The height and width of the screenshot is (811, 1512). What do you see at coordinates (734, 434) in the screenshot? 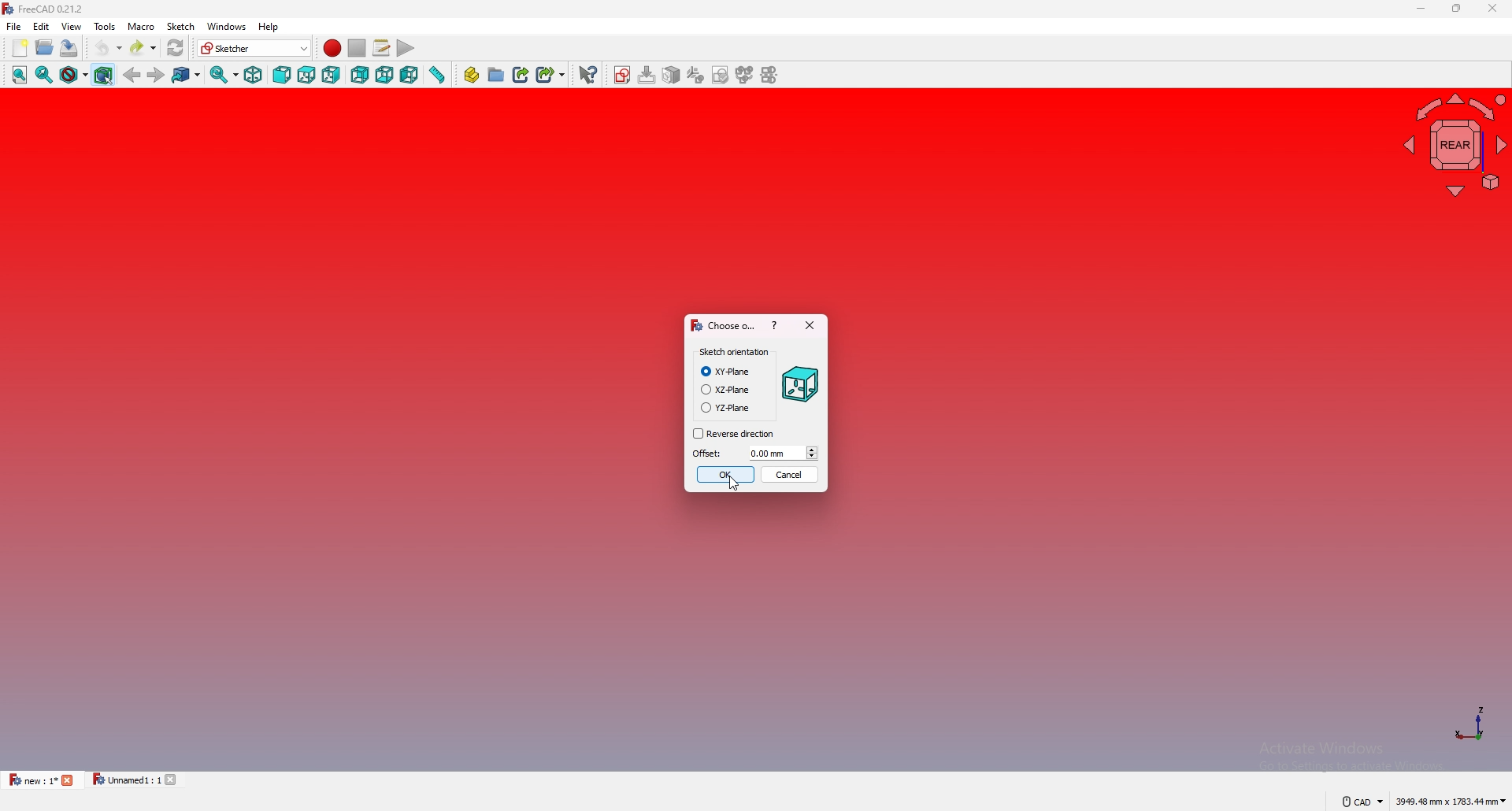
I see `reverse direction` at bounding box center [734, 434].